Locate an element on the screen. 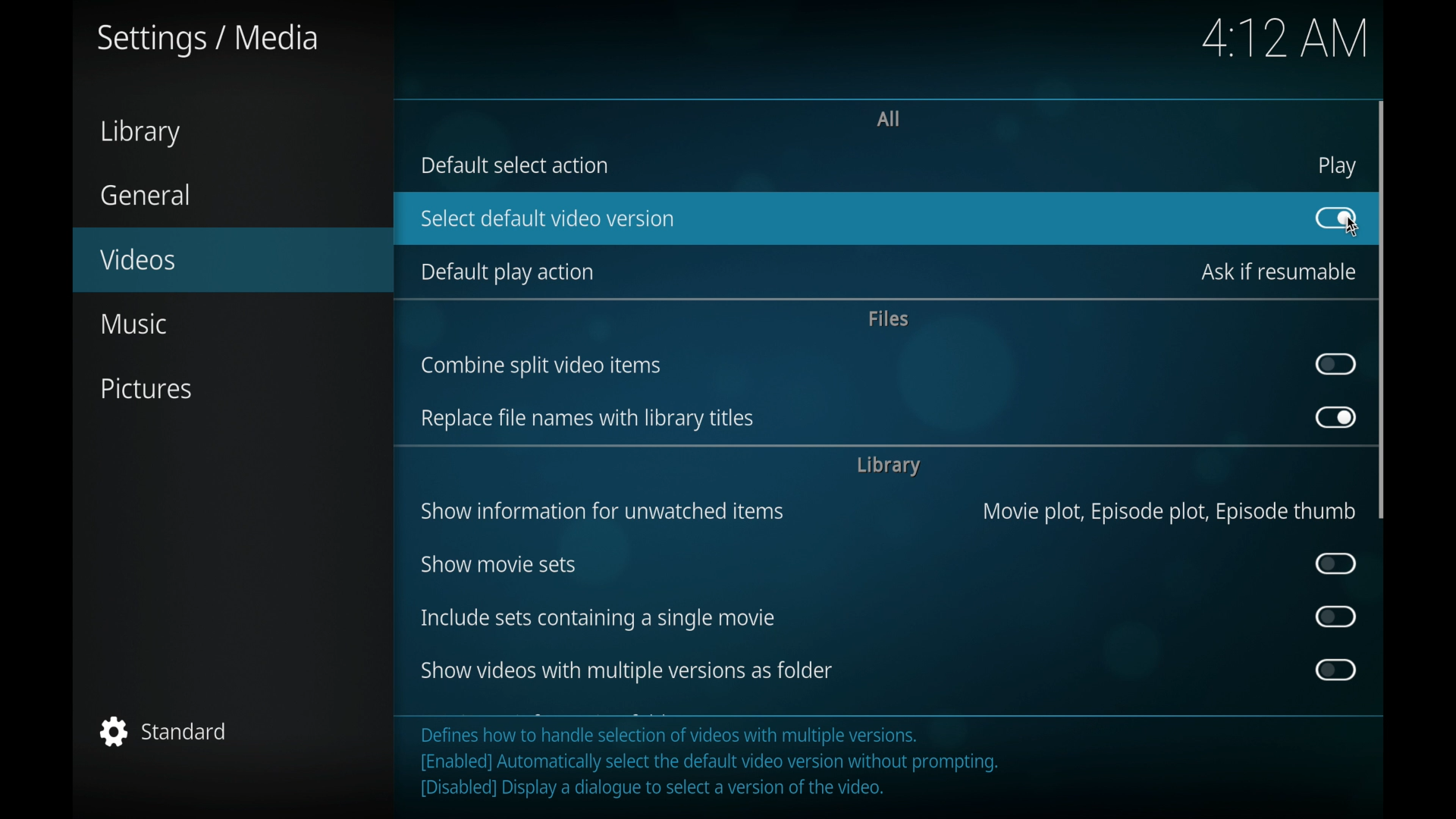 Image resolution: width=1456 pixels, height=819 pixels. toggle button on is located at coordinates (1335, 218).